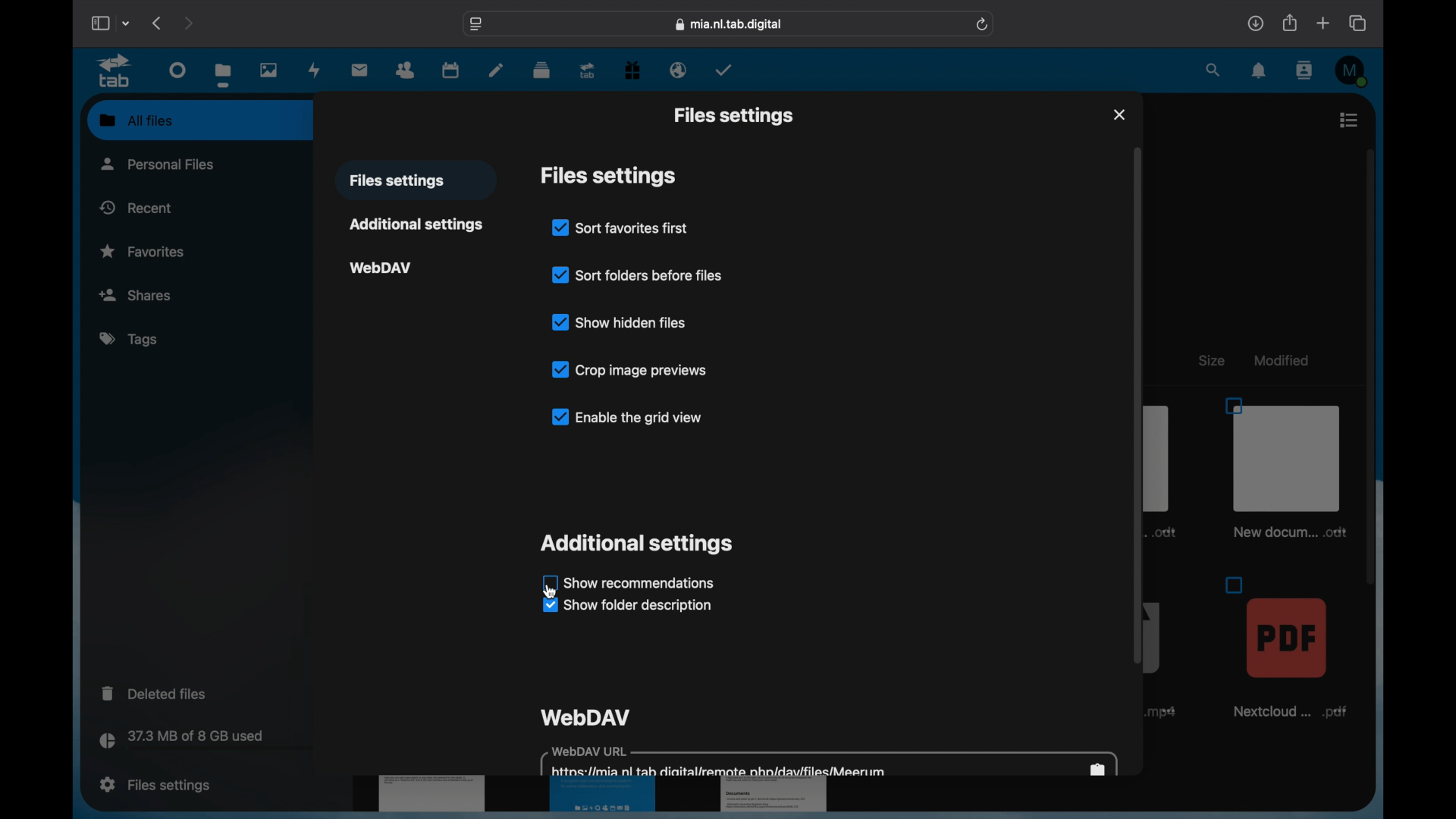 The height and width of the screenshot is (819, 1456). Describe the element at coordinates (541, 71) in the screenshot. I see `deck` at that location.